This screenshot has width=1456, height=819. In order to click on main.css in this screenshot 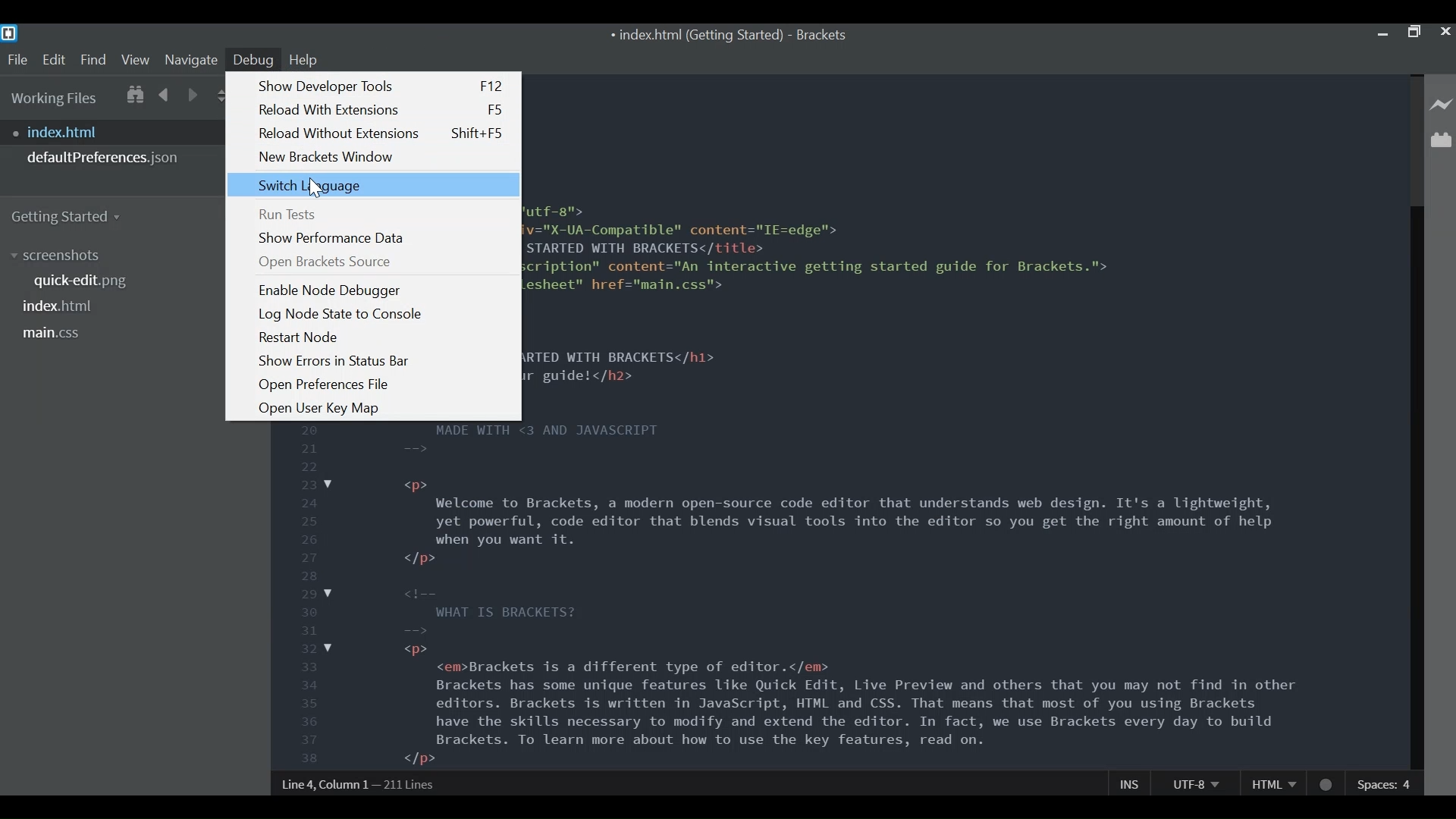, I will do `click(52, 334)`.